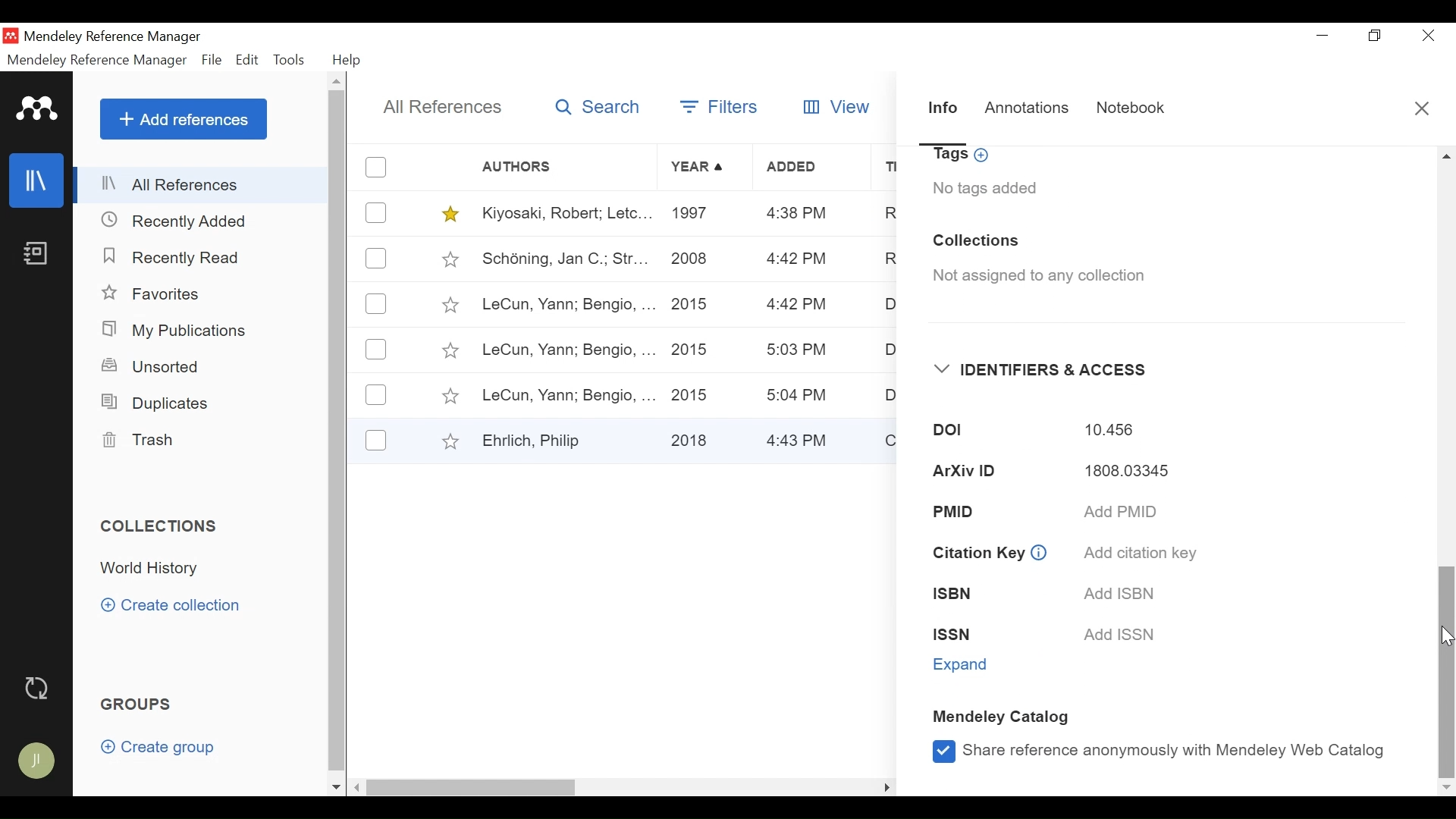  Describe the element at coordinates (566, 440) in the screenshot. I see `Ehrlich, Philify,` at that location.